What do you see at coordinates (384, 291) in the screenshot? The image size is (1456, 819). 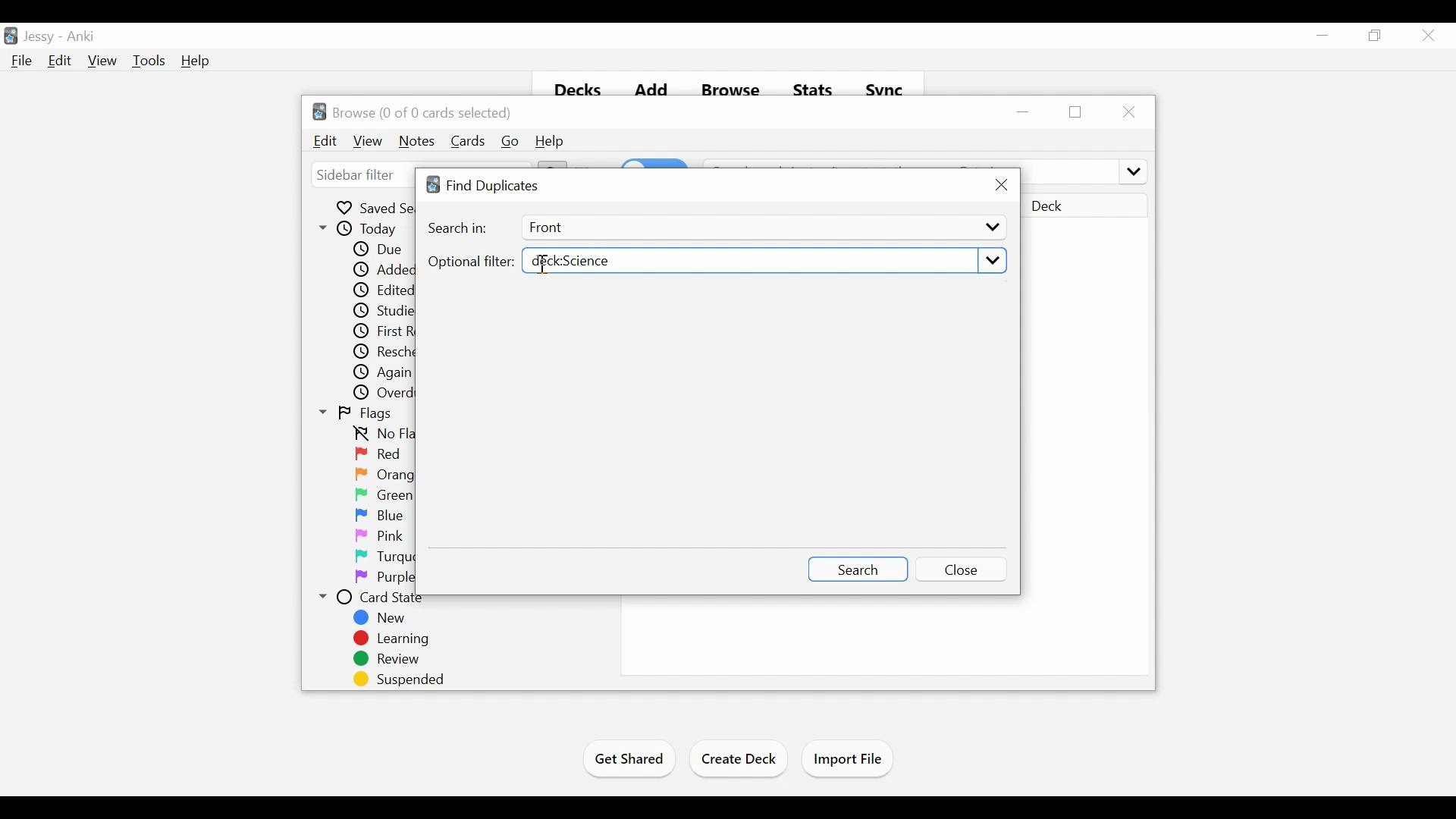 I see `Edited` at bounding box center [384, 291].